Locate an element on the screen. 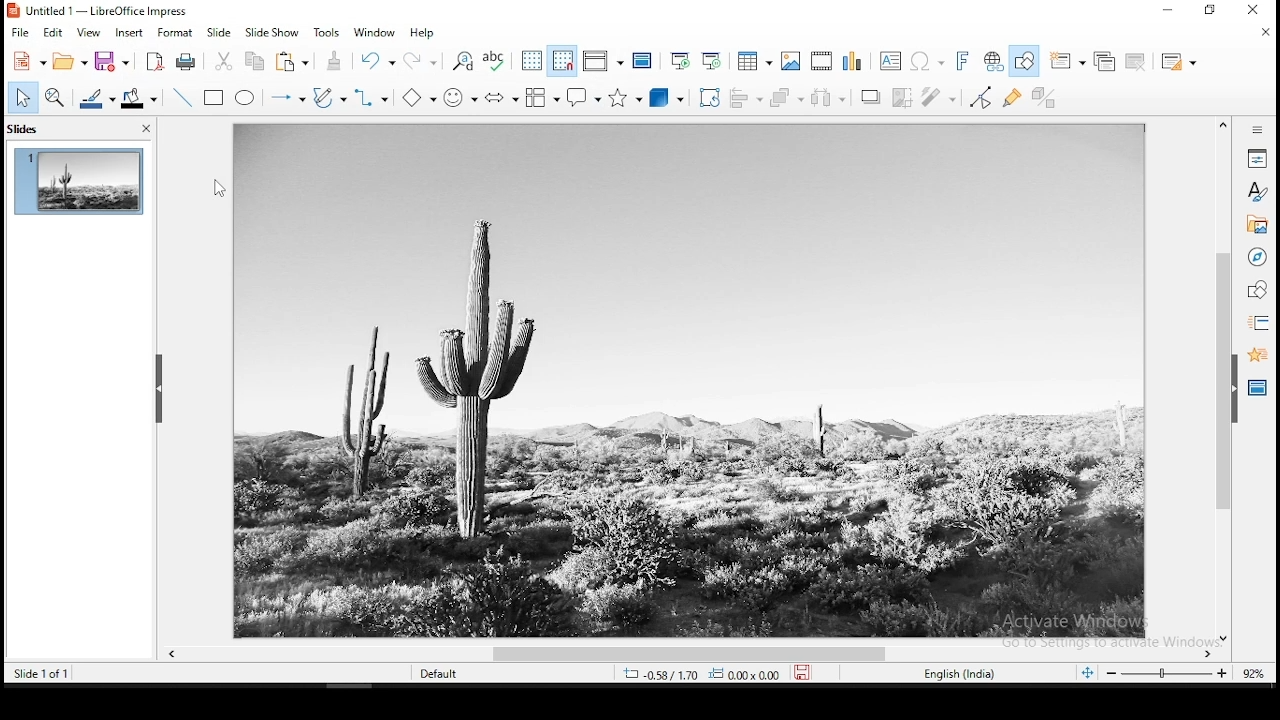 This screenshot has width=1280, height=720. file is located at coordinates (19, 33).